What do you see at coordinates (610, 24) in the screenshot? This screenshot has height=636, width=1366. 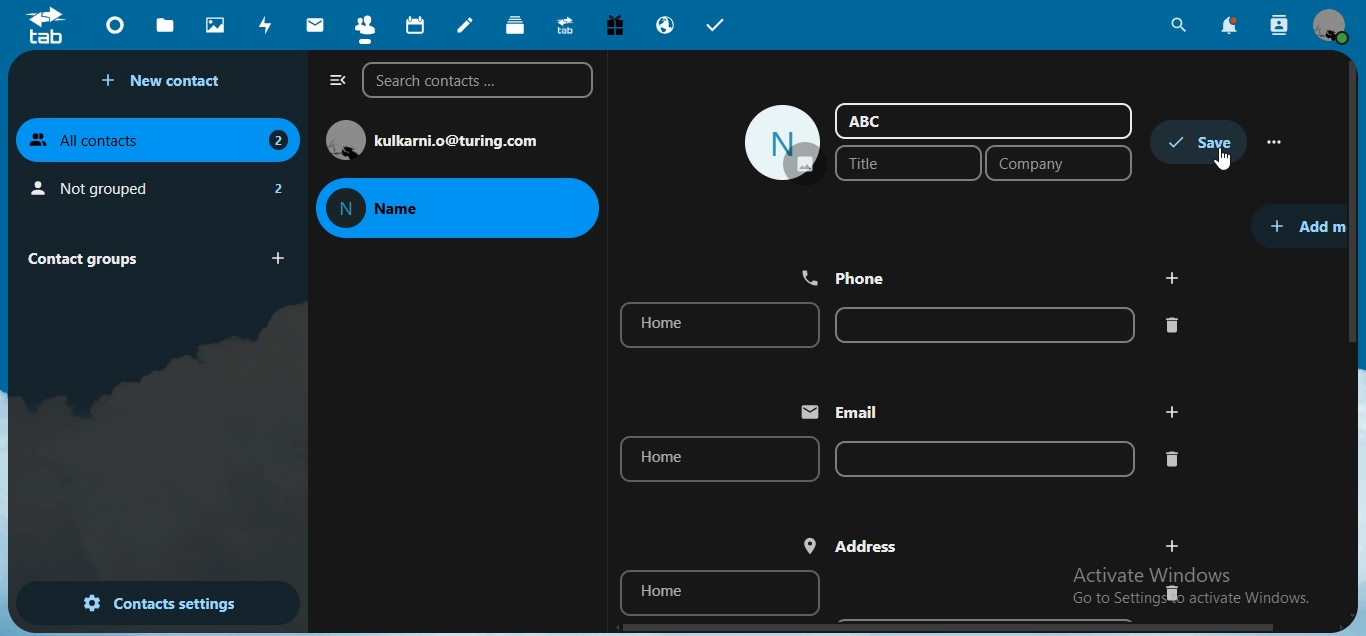 I see `free trial` at bounding box center [610, 24].